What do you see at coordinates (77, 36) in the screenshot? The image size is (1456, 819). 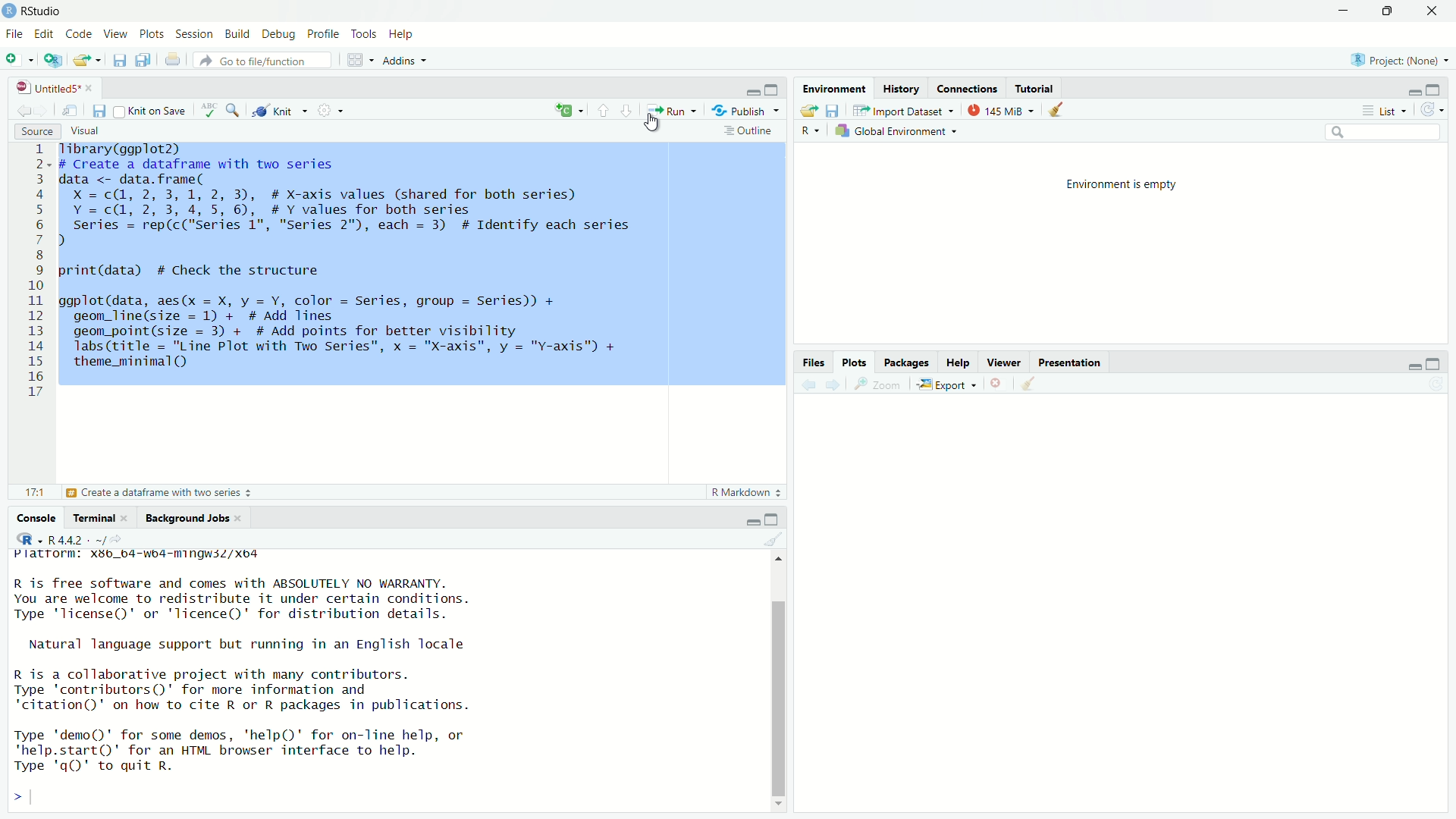 I see `Code` at bounding box center [77, 36].